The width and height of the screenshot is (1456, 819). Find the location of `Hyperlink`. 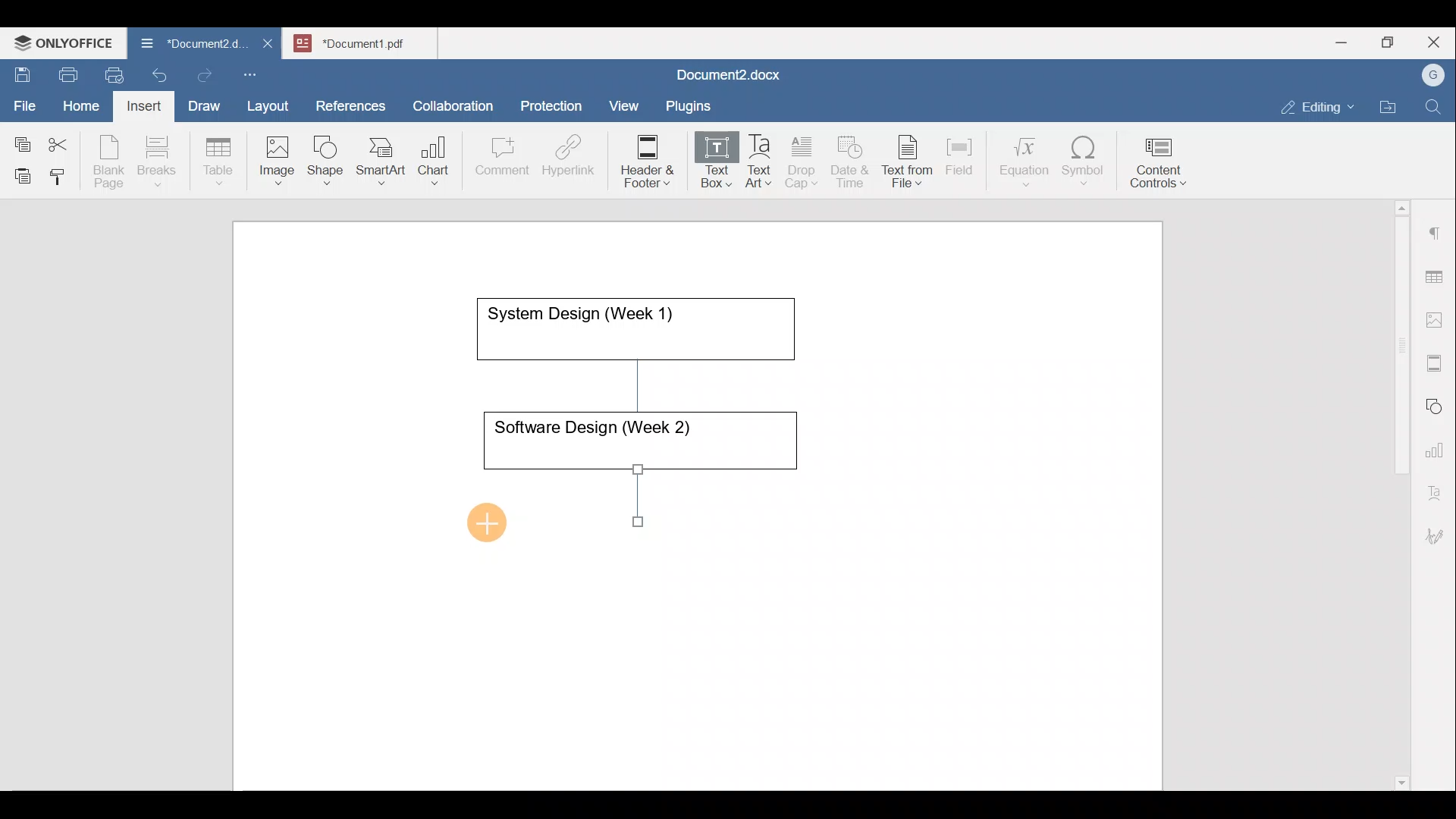

Hyperlink is located at coordinates (573, 160).